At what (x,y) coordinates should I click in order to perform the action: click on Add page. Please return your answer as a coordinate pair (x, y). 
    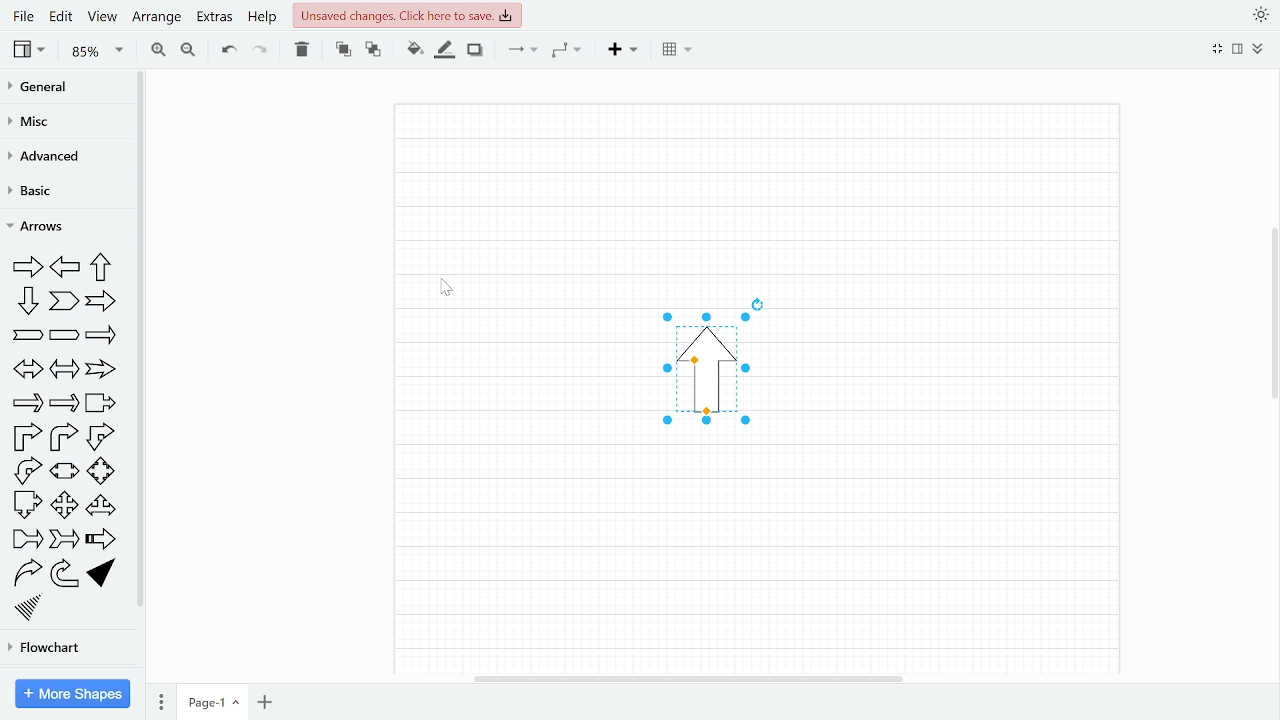
    Looking at the image, I should click on (265, 701).